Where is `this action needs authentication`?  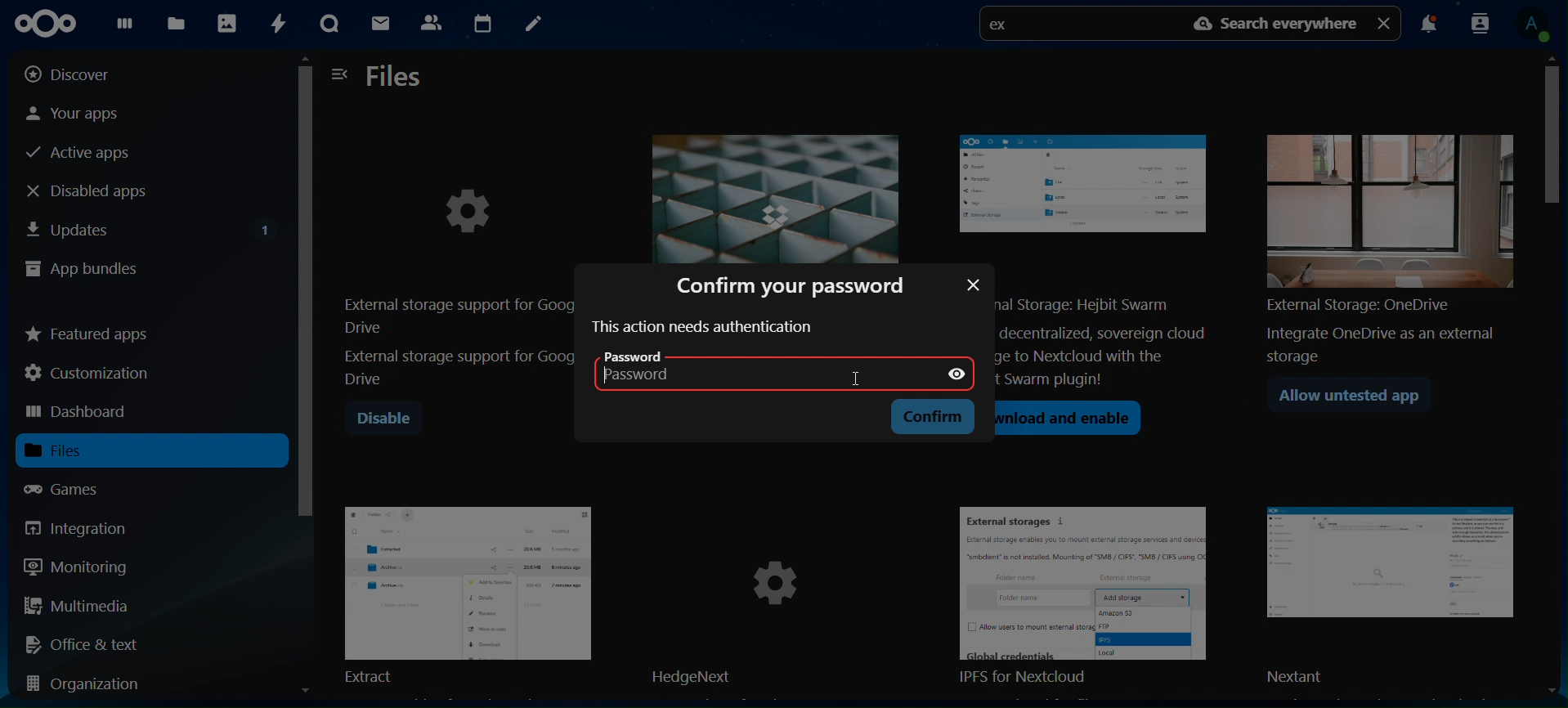 this action needs authentication is located at coordinates (705, 327).